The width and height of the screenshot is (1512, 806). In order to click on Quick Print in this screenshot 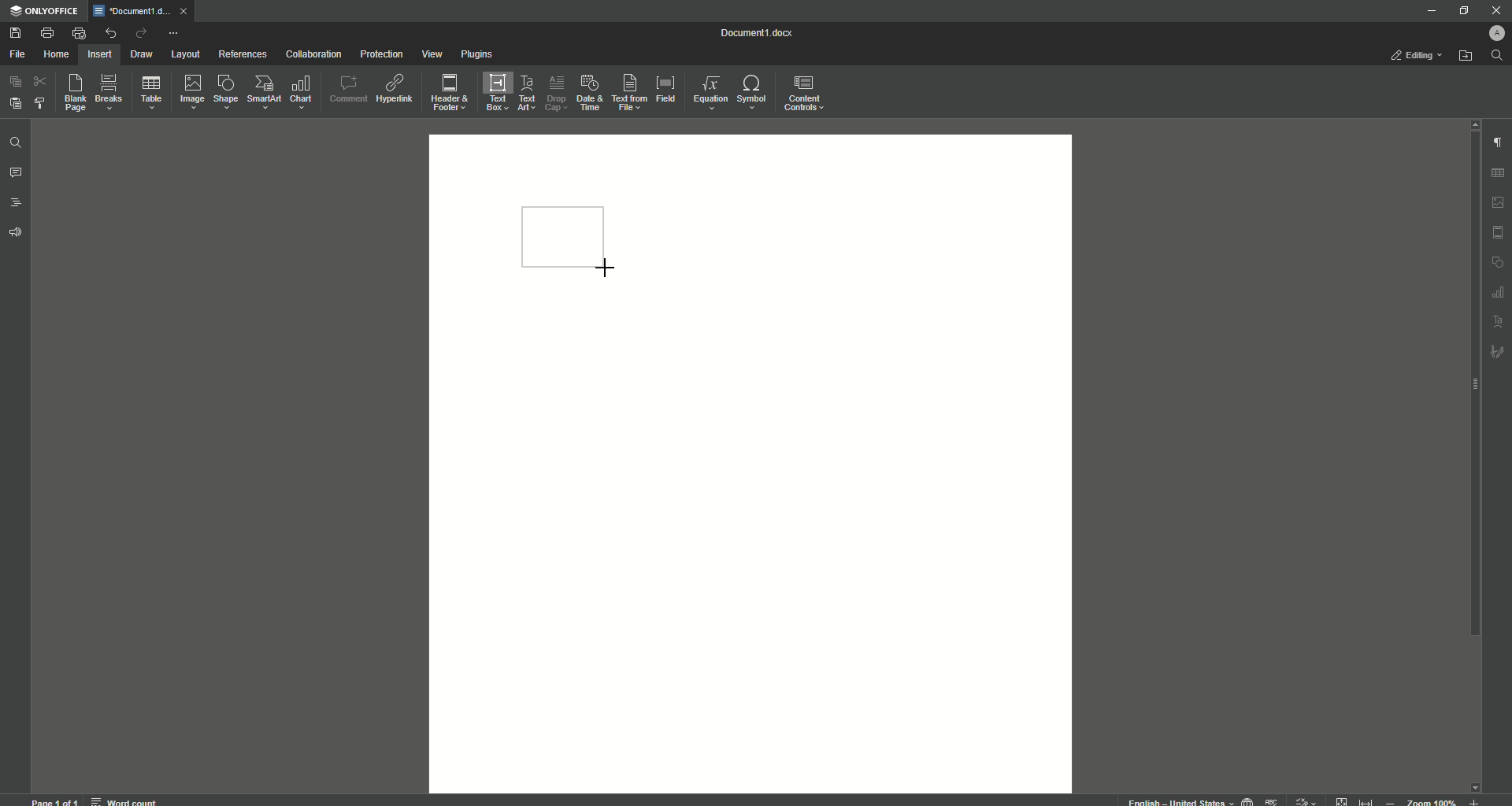, I will do `click(79, 33)`.